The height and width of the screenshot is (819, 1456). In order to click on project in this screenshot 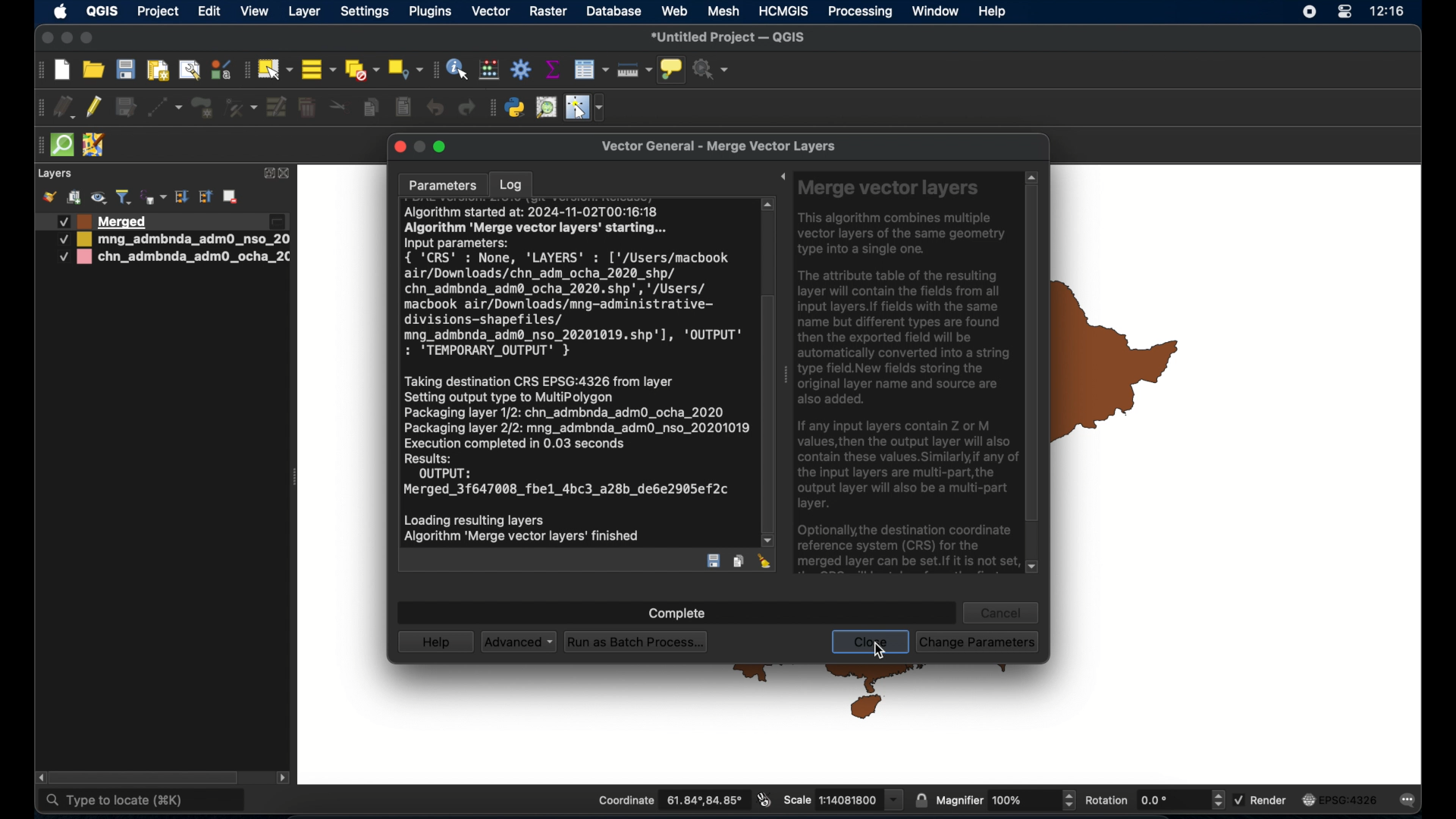, I will do `click(159, 13)`.